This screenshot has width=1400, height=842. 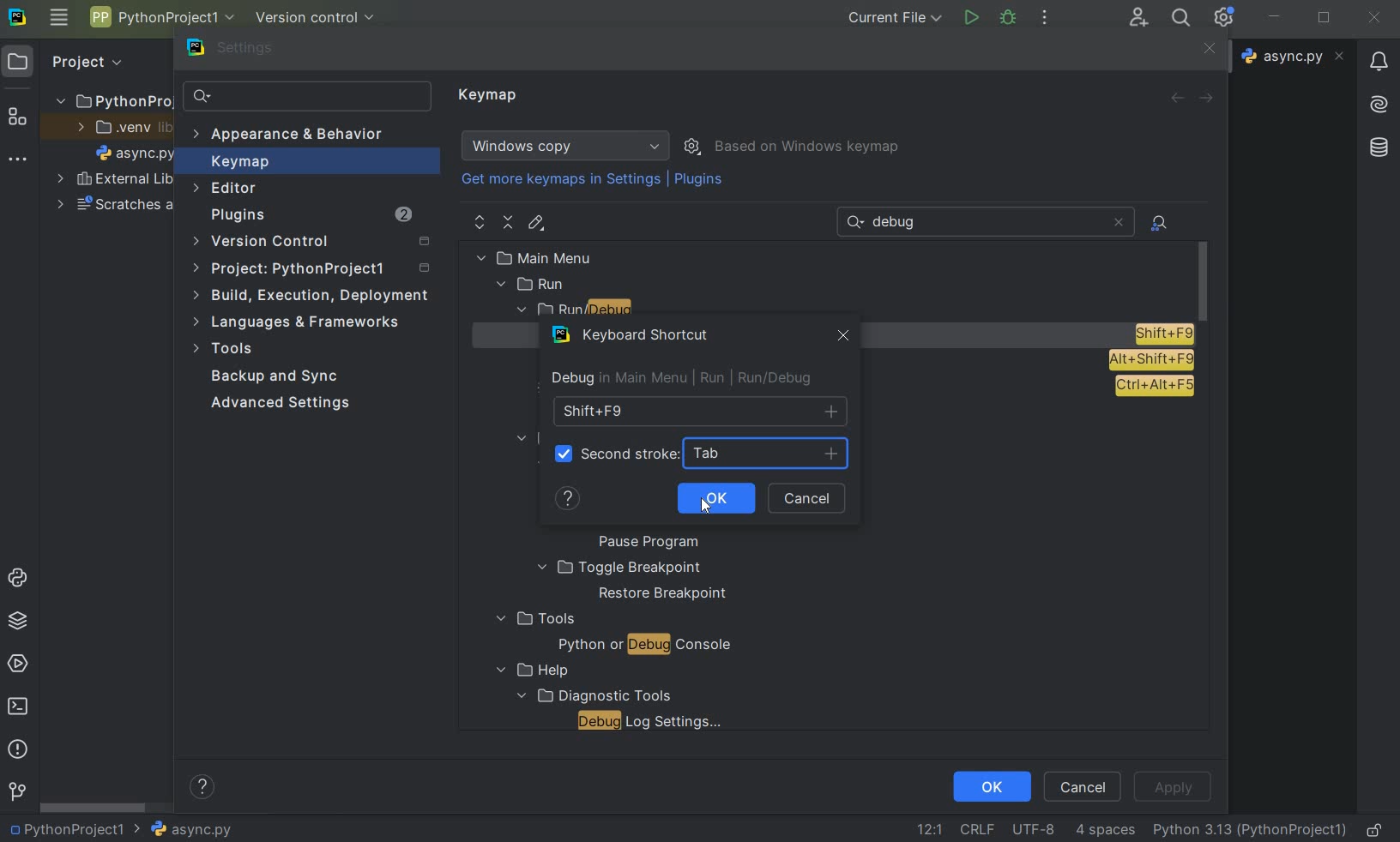 What do you see at coordinates (1118, 222) in the screenshot?
I see `close` at bounding box center [1118, 222].